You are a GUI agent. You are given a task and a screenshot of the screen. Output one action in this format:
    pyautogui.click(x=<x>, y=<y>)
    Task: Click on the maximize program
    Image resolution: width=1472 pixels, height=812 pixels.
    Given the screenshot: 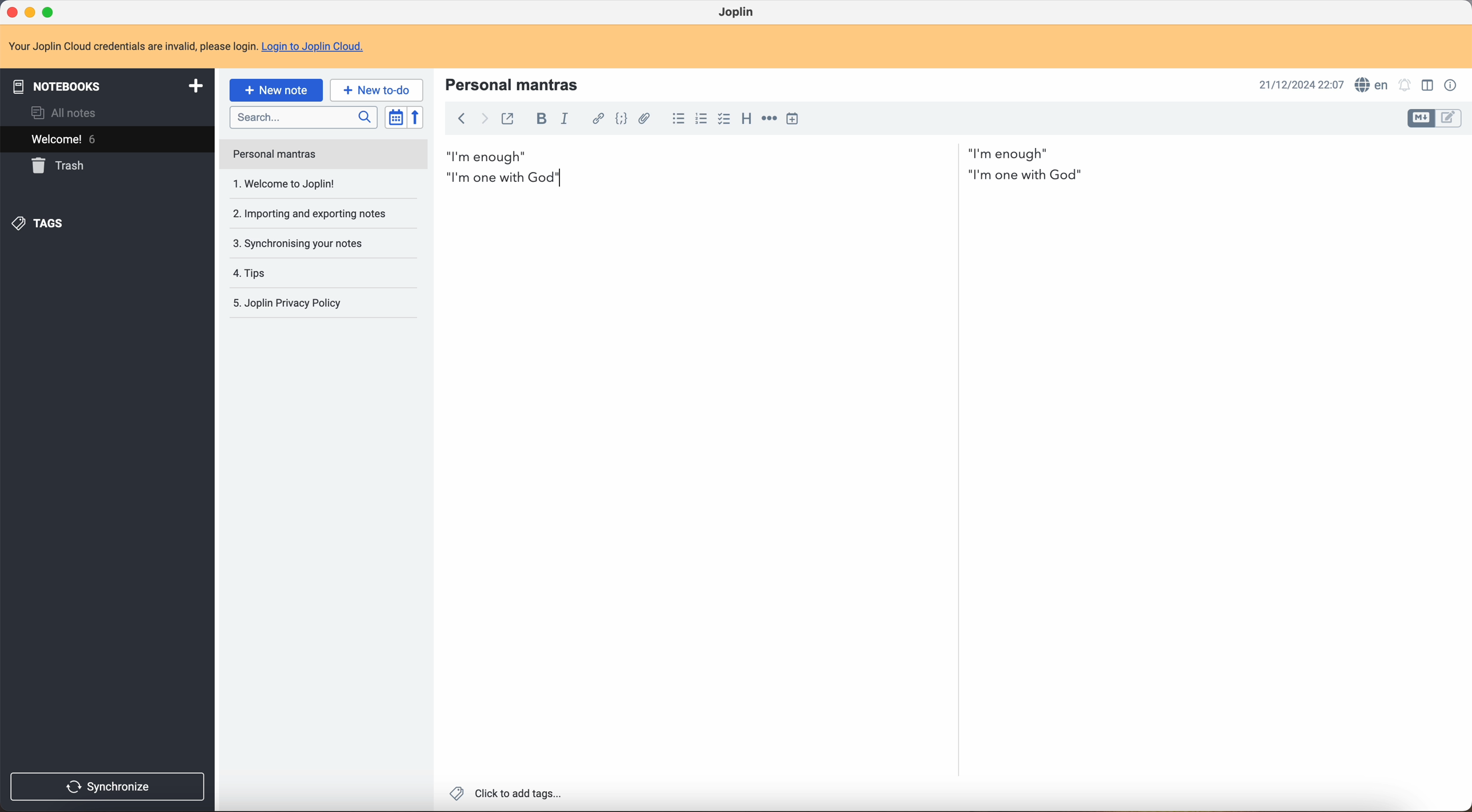 What is the action you would take?
    pyautogui.click(x=50, y=11)
    